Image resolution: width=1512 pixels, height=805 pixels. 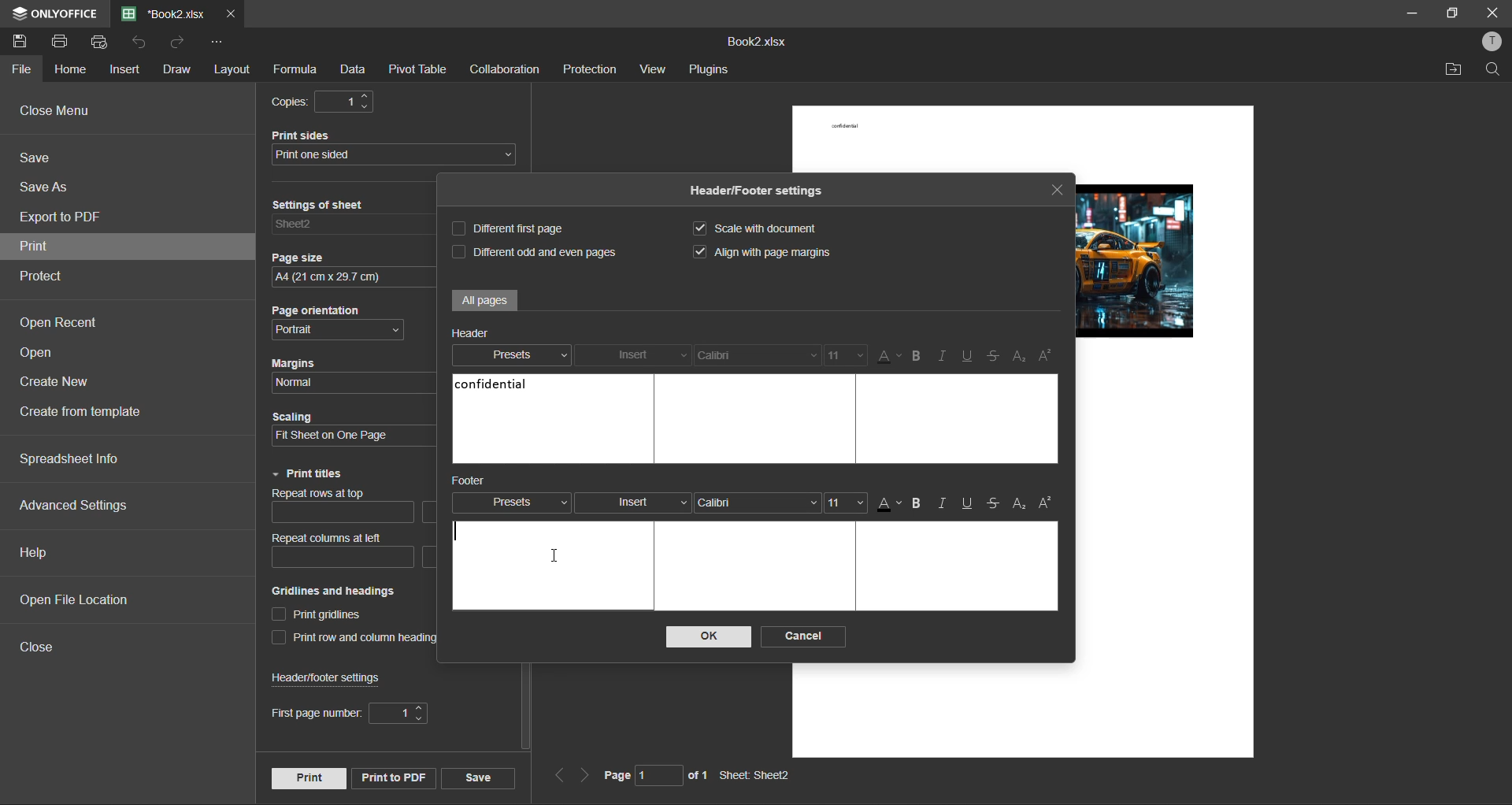 I want to click on font color, so click(x=891, y=356).